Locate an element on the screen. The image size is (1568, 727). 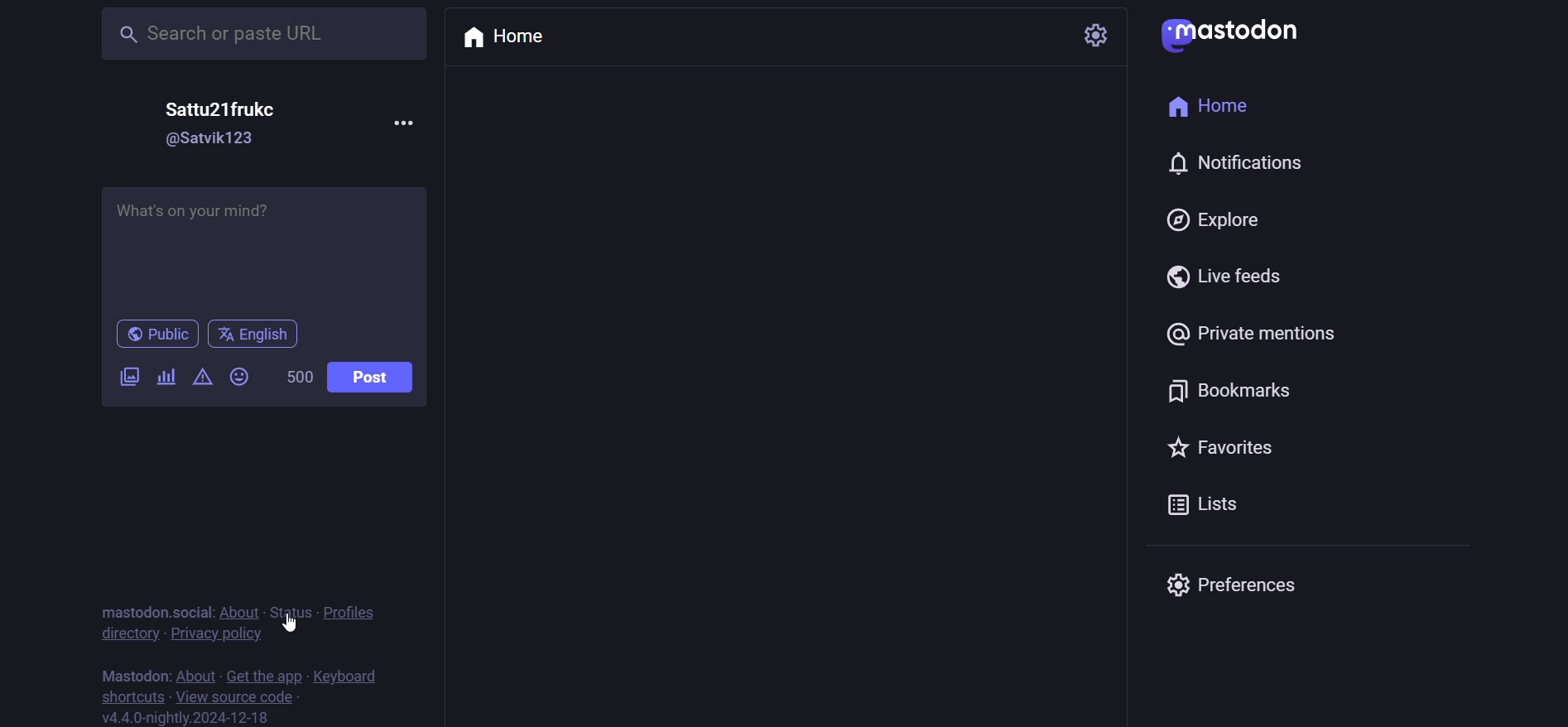
more is located at coordinates (409, 122).